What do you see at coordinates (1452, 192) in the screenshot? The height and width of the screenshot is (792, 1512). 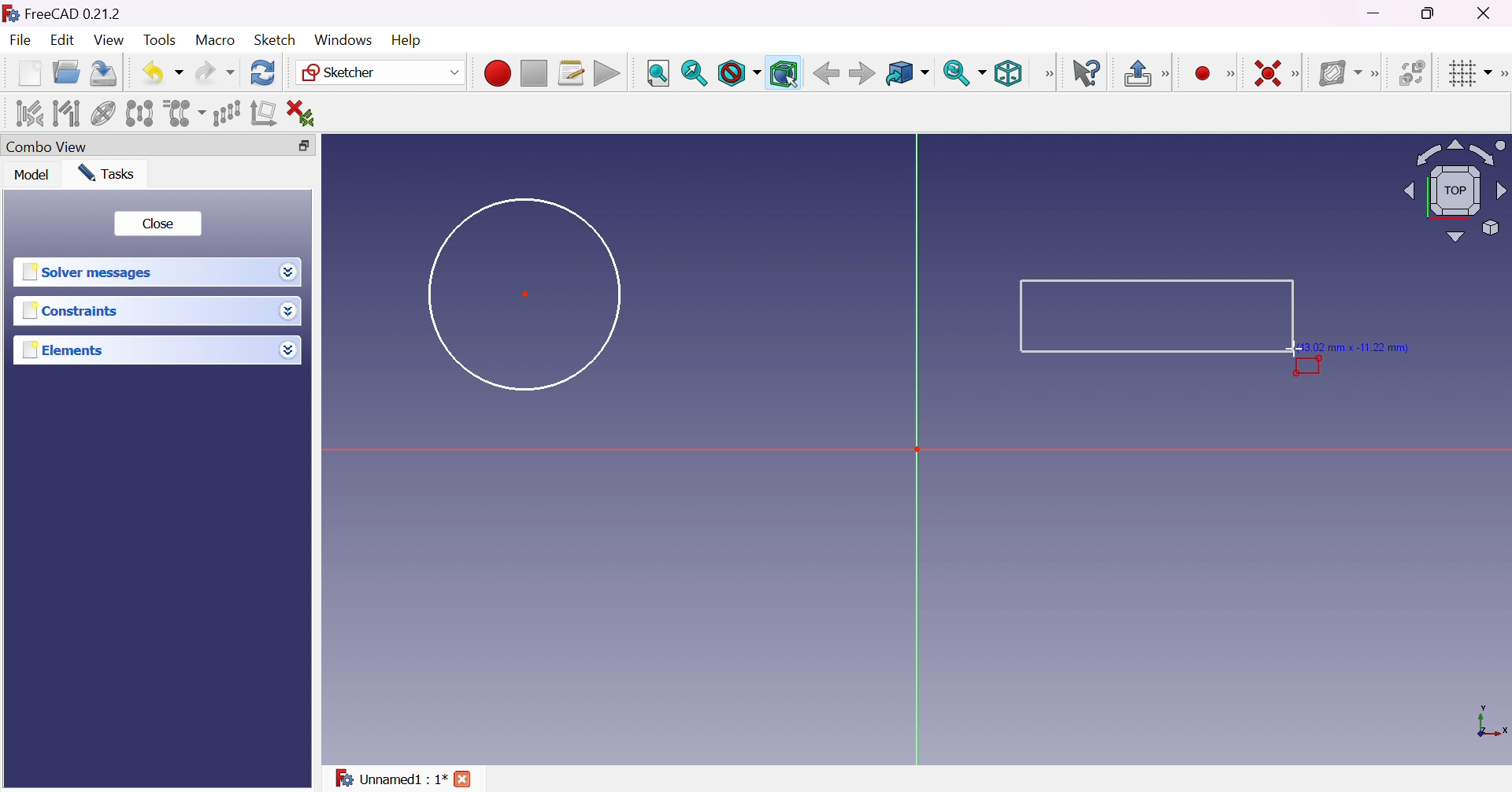 I see `Viewing angle` at bounding box center [1452, 192].